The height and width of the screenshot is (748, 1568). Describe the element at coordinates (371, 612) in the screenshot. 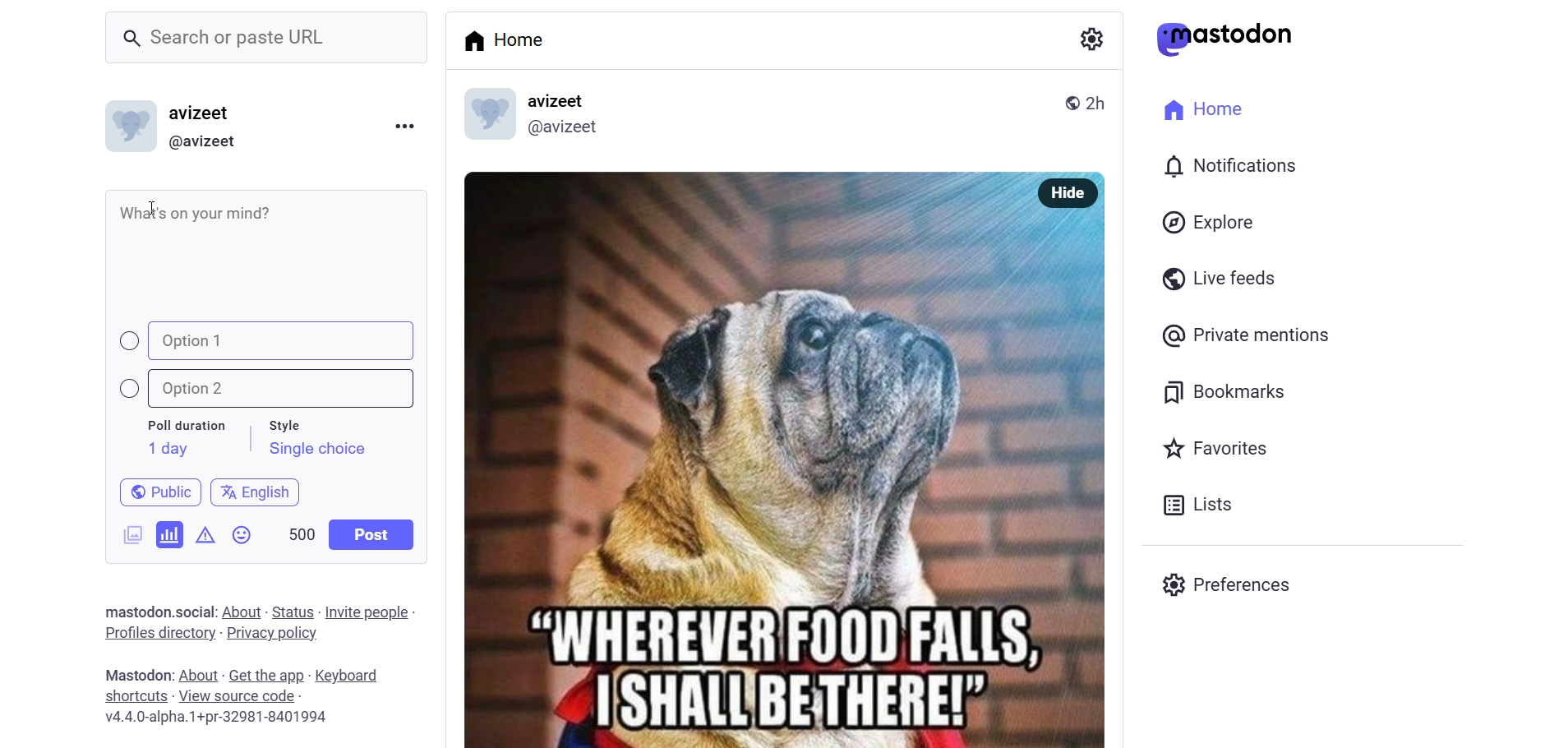

I see `invite people` at that location.